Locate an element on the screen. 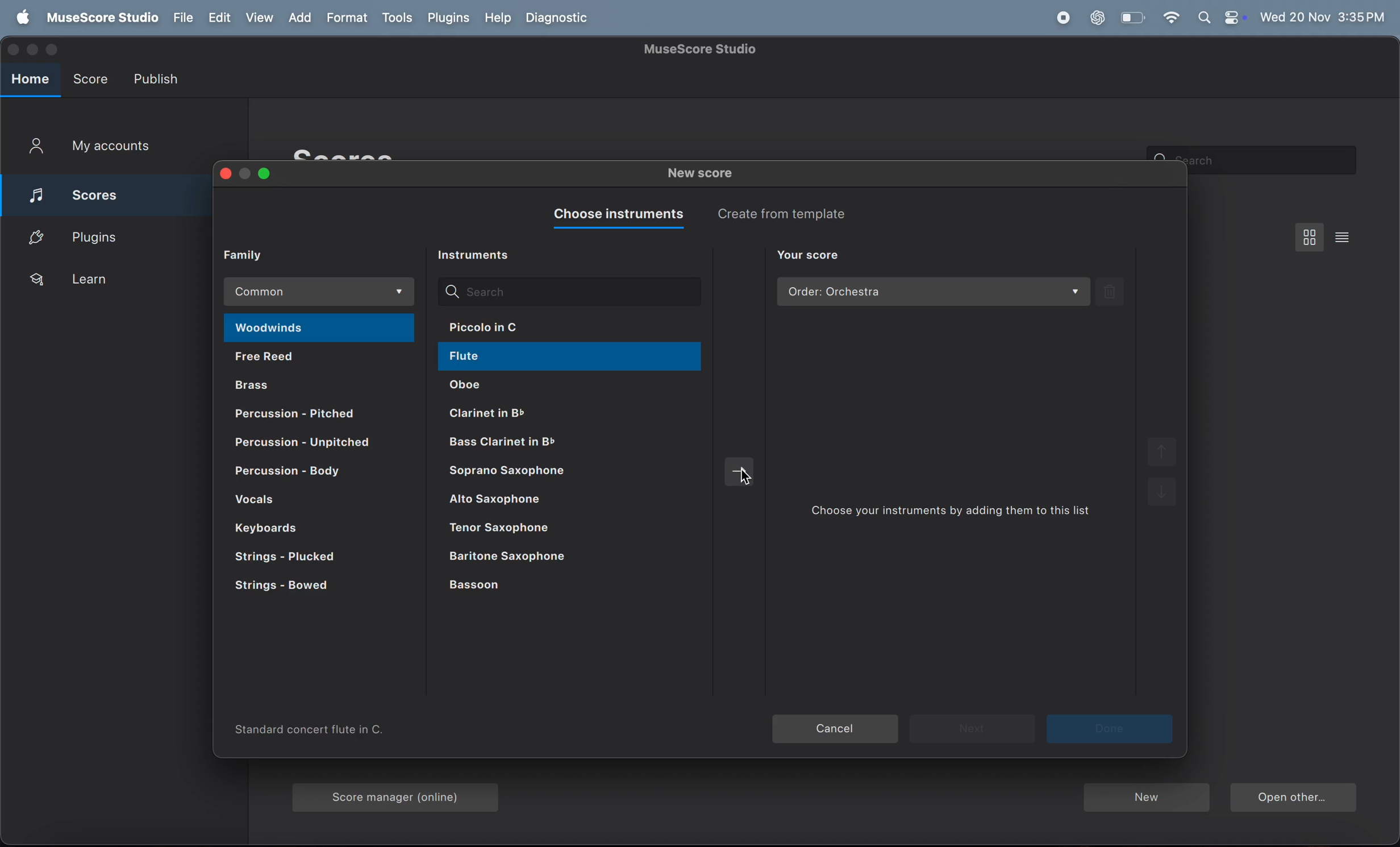  score is located at coordinates (90, 76).